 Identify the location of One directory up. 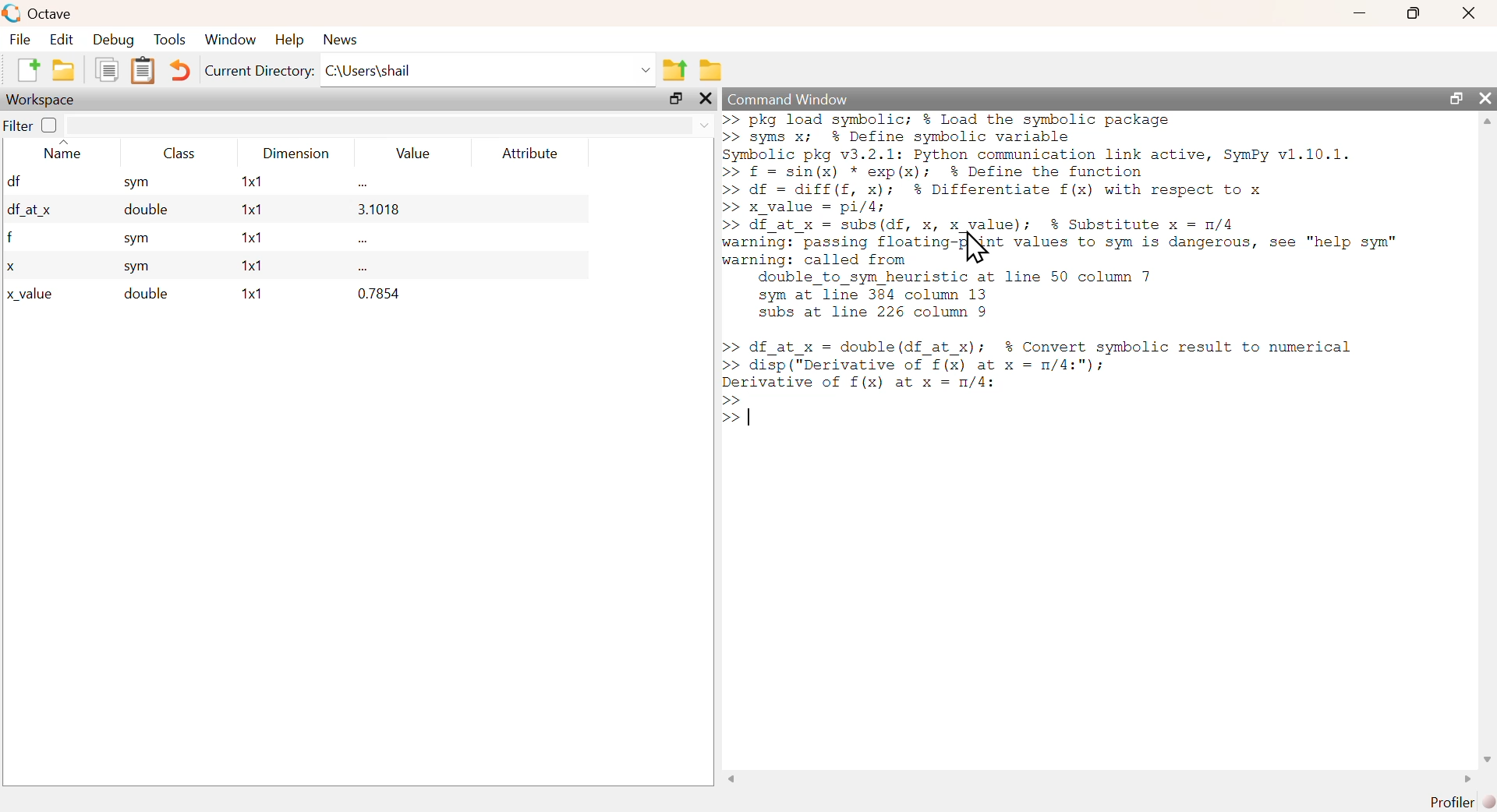
(675, 66).